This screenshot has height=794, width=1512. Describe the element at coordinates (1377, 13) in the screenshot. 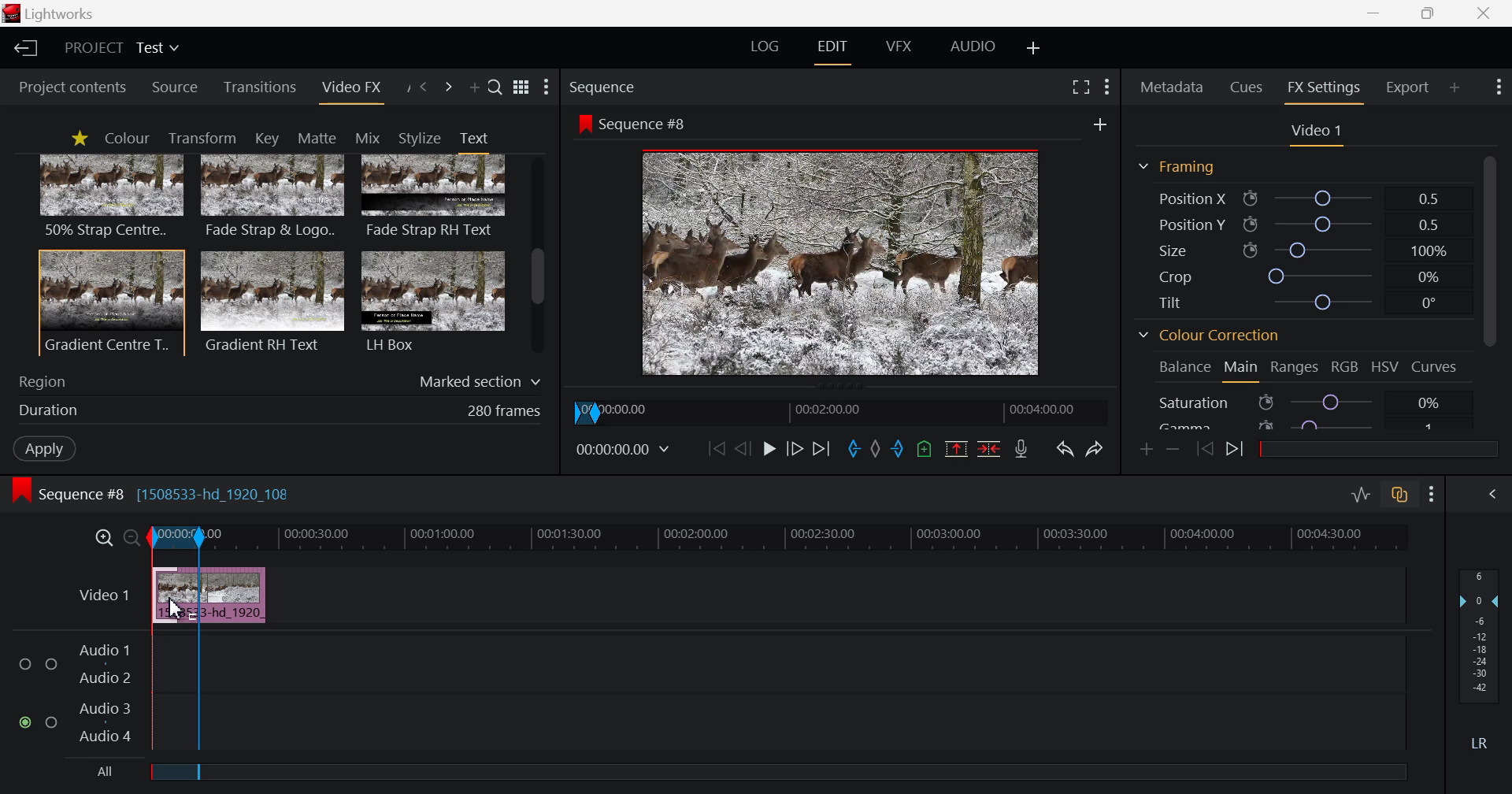

I see `Restore Down` at that location.